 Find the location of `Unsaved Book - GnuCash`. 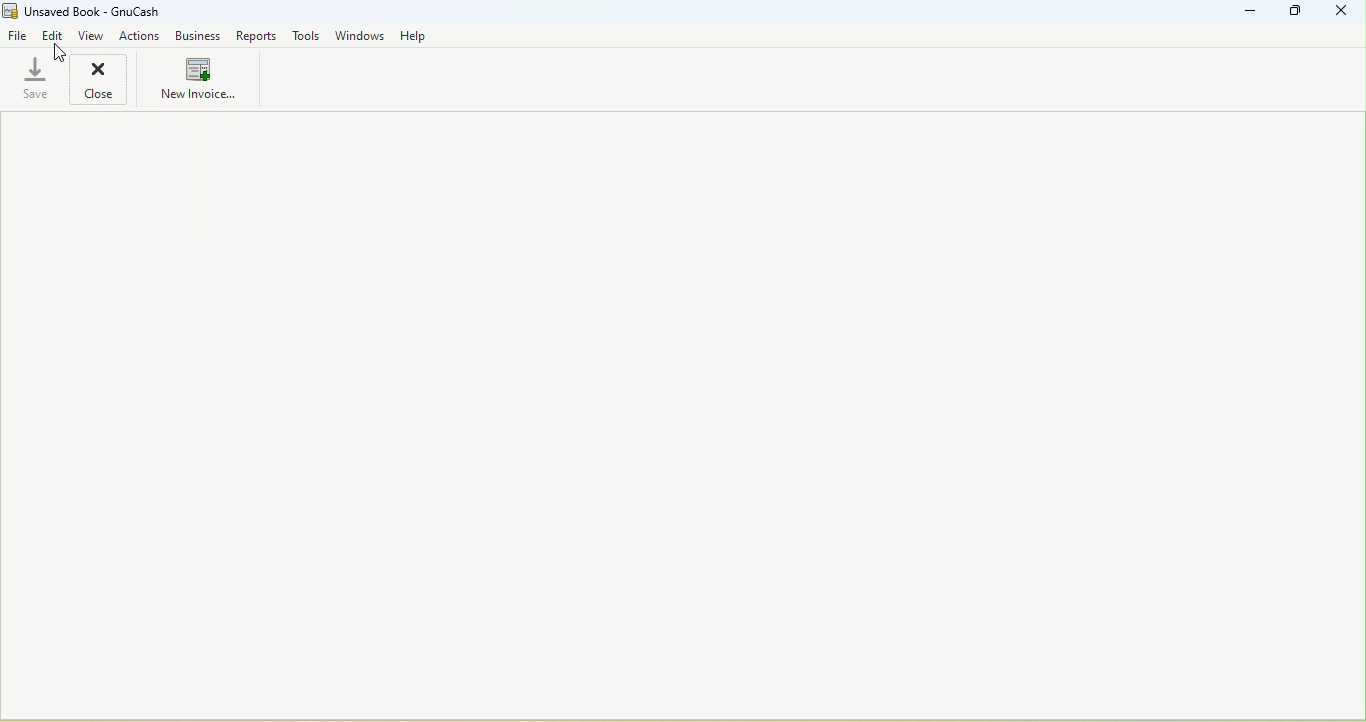

Unsaved Book - GnuCash is located at coordinates (92, 12).